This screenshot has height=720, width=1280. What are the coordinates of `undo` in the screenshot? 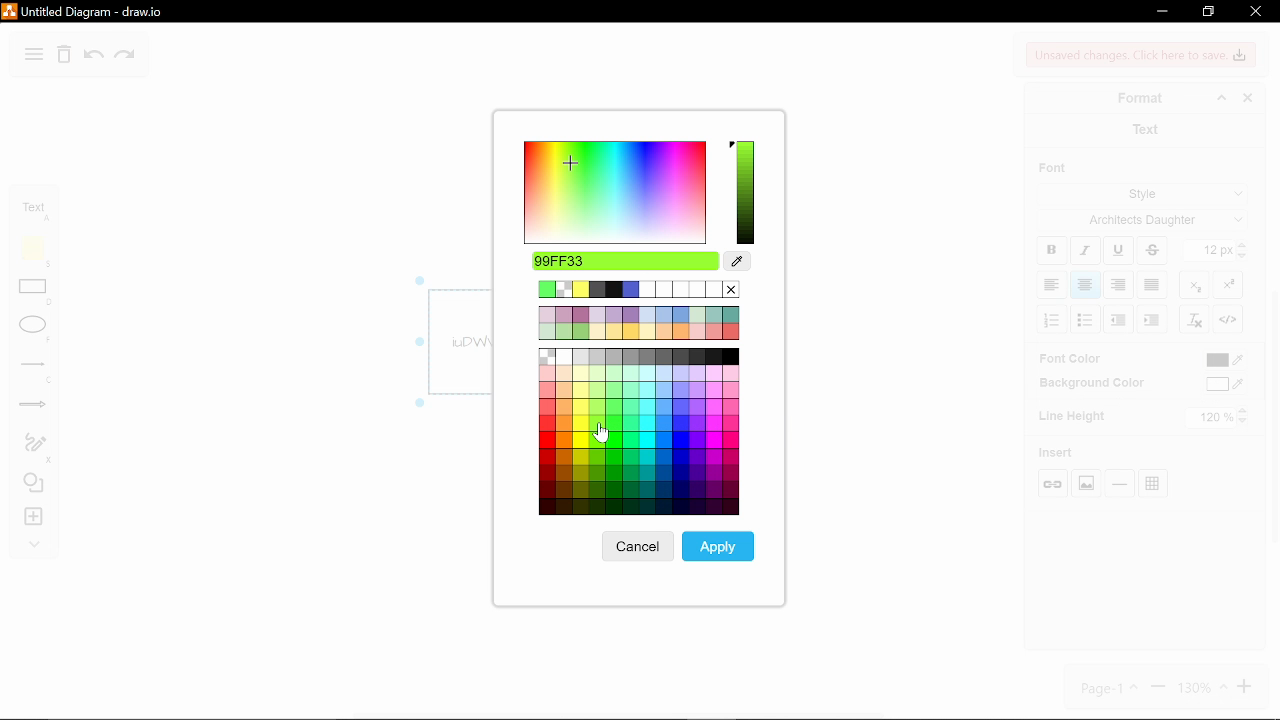 It's located at (94, 56).